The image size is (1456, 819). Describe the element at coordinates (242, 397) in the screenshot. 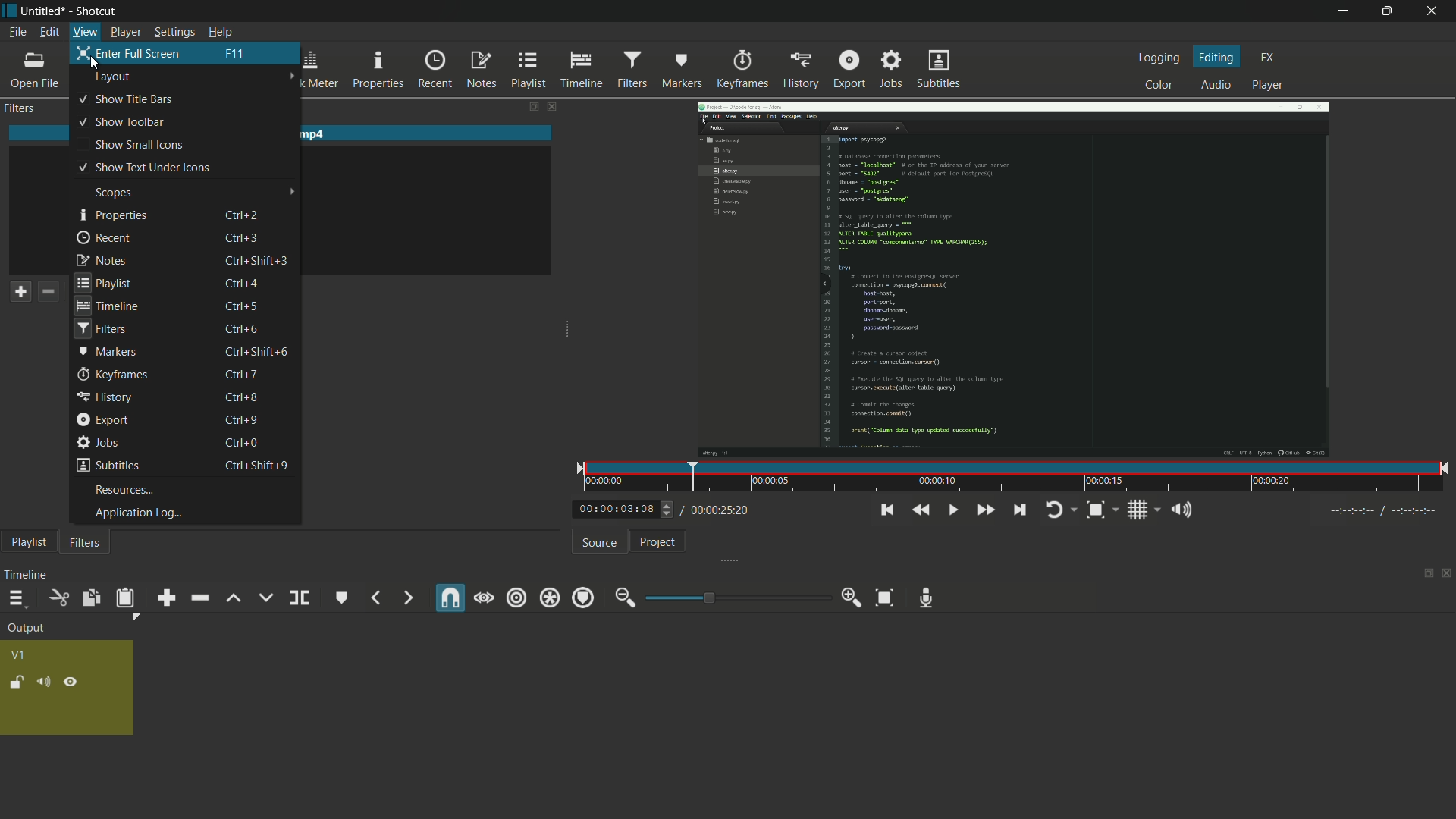

I see `Ctrl+8` at that location.